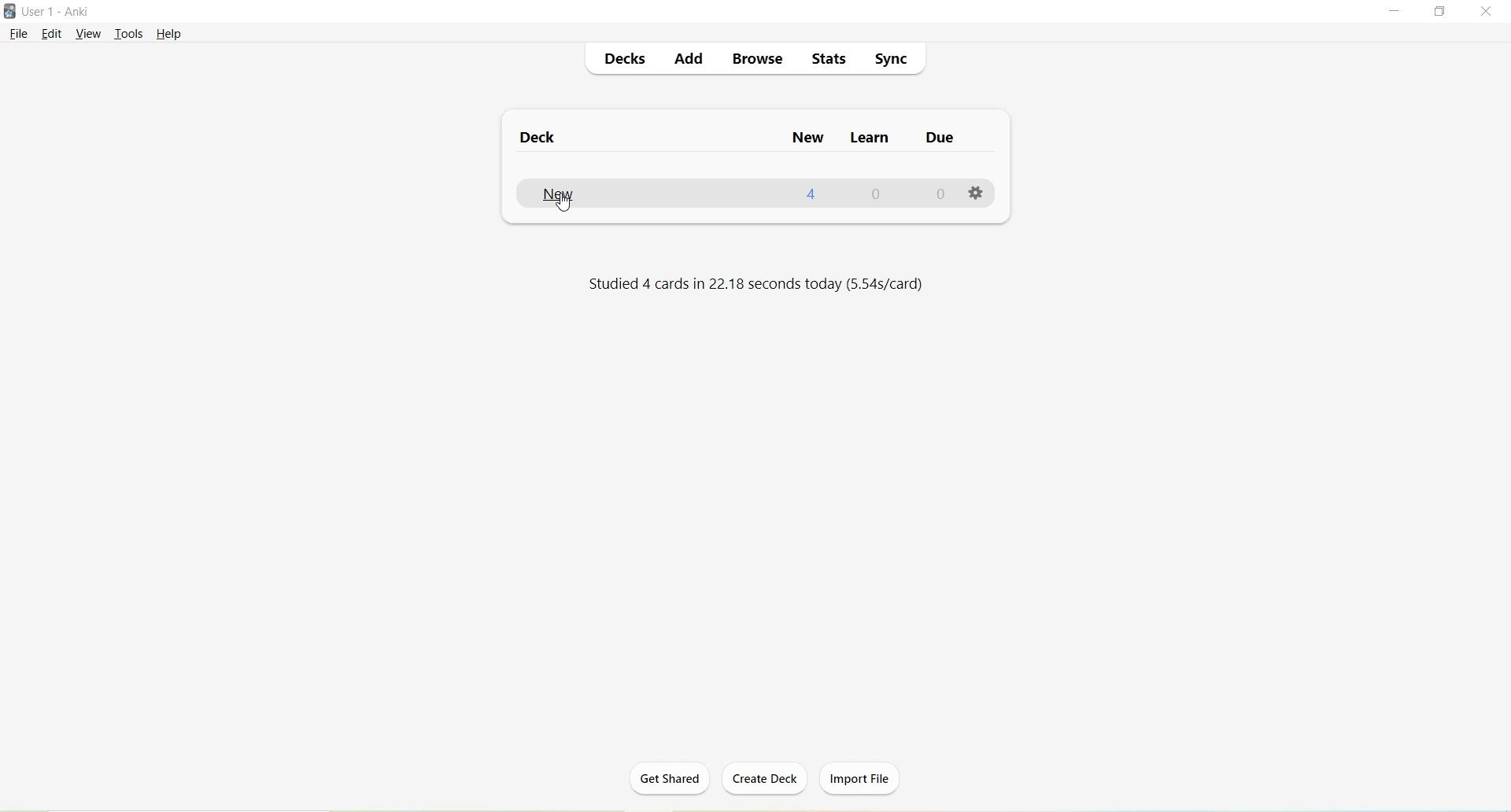 Image resolution: width=1511 pixels, height=812 pixels. Describe the element at coordinates (89, 33) in the screenshot. I see `View` at that location.